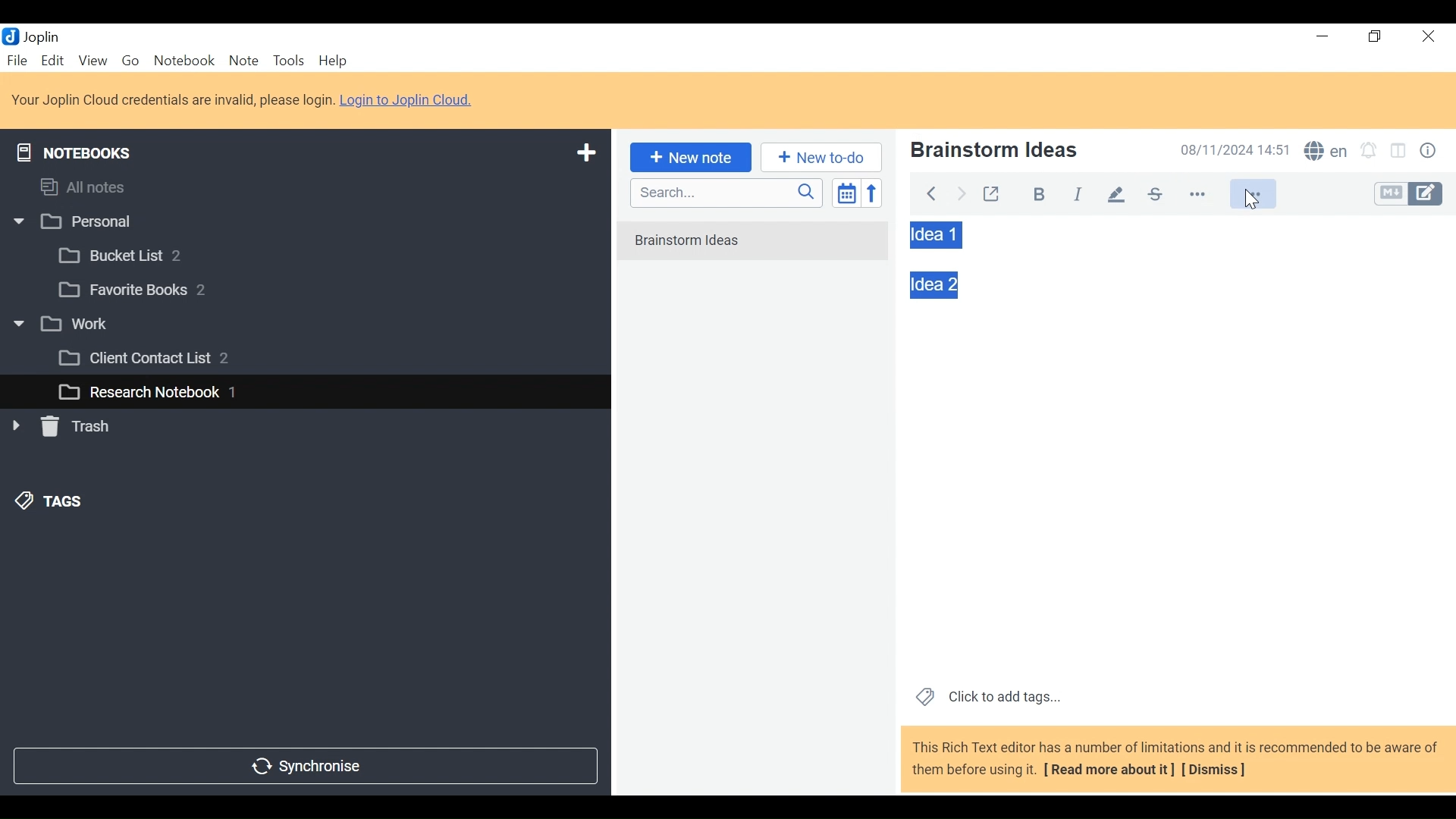  Describe the element at coordinates (1154, 193) in the screenshot. I see `strikethrough` at that location.